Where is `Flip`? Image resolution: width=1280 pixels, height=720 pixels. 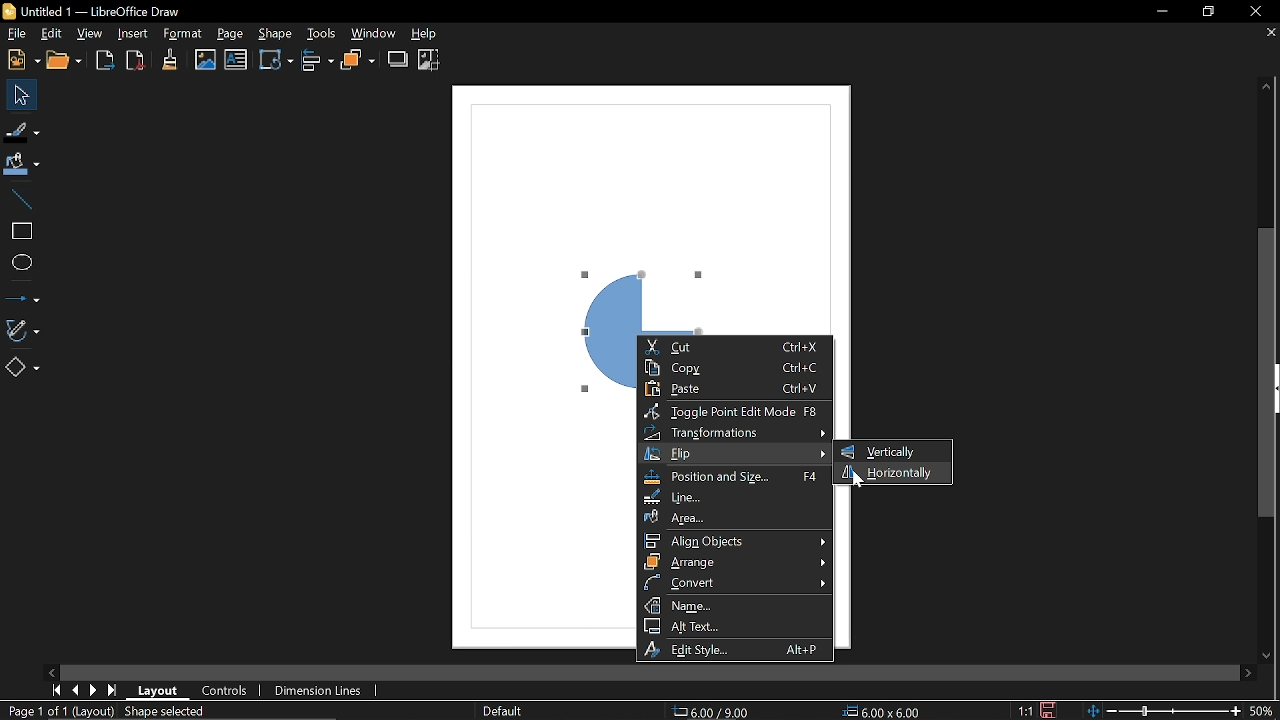 Flip is located at coordinates (738, 454).